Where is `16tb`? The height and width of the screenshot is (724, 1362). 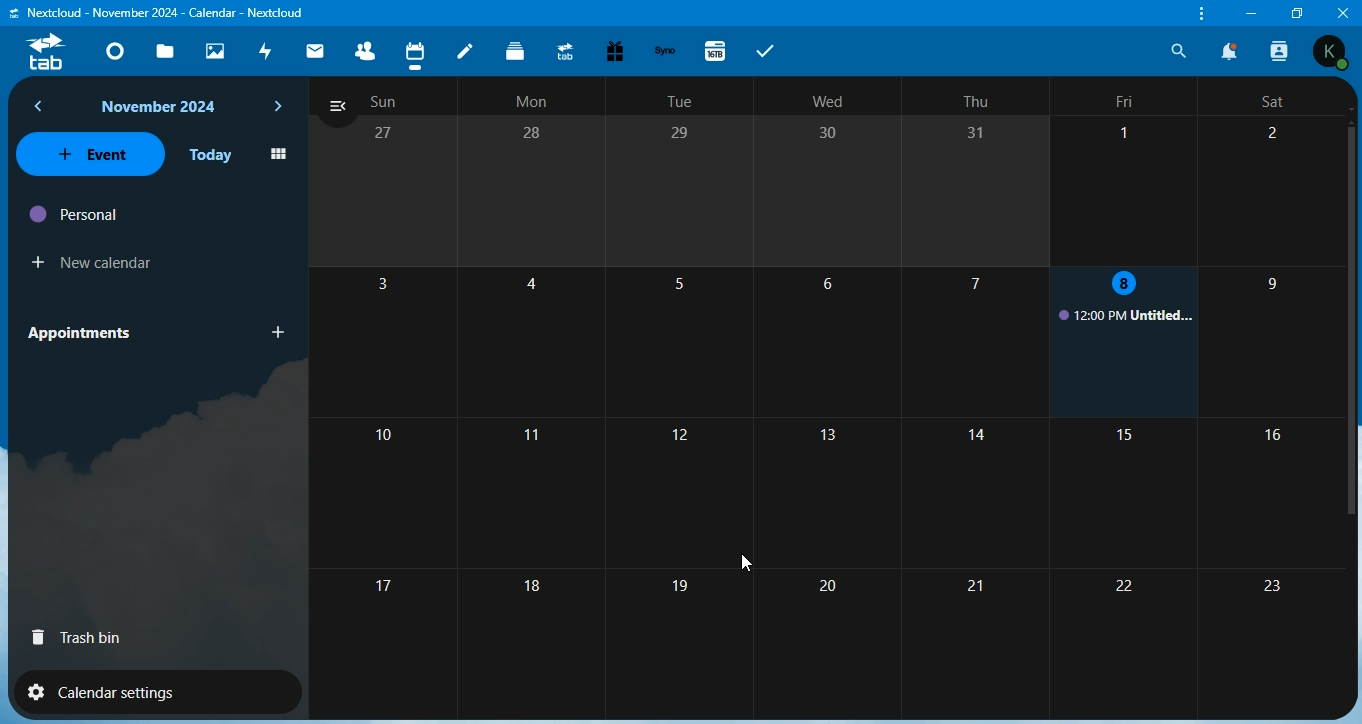
16tb is located at coordinates (721, 48).